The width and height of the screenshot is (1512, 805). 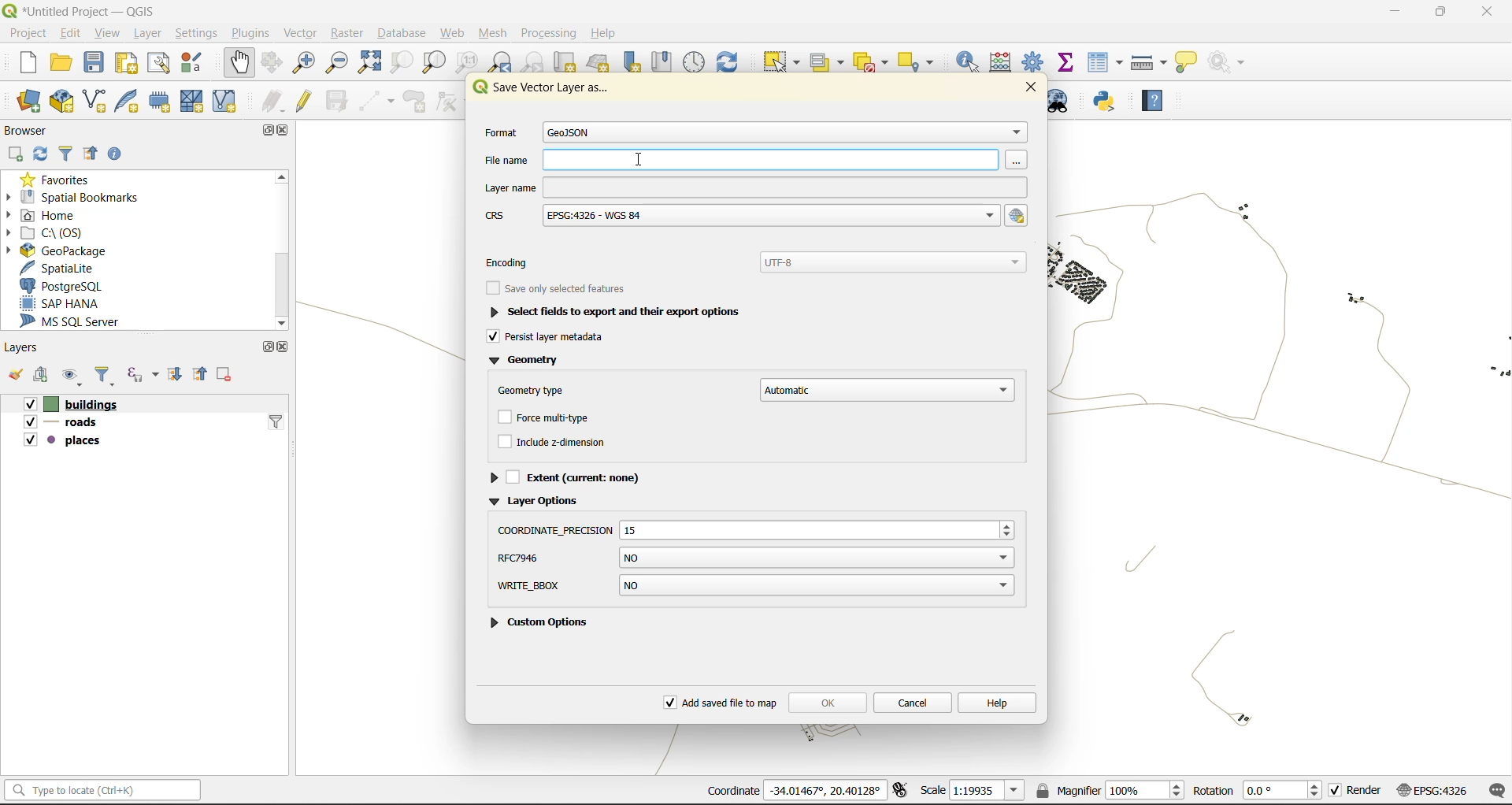 What do you see at coordinates (32, 130) in the screenshot?
I see `browser` at bounding box center [32, 130].